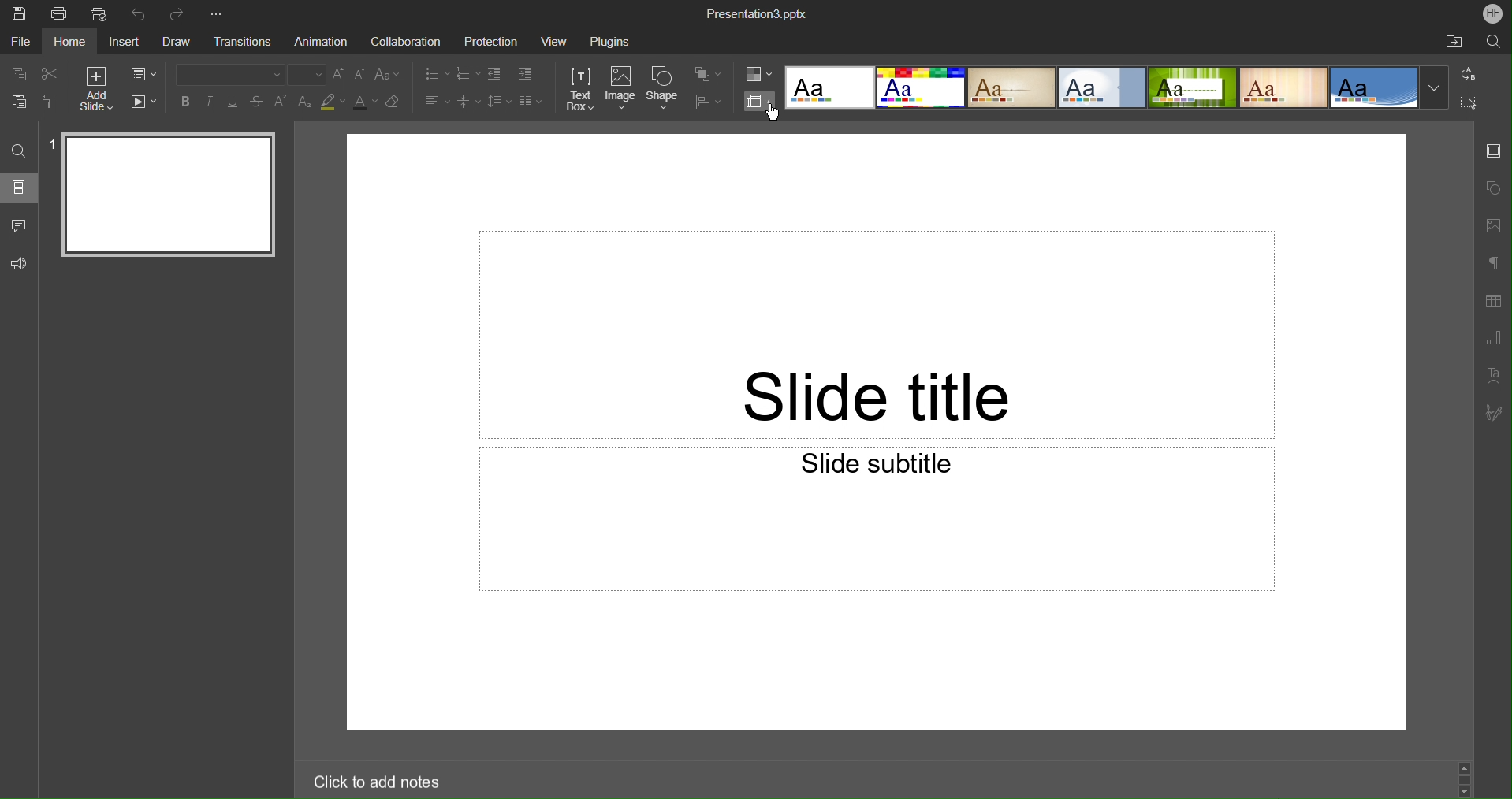 This screenshot has width=1512, height=799. I want to click on Text Art, so click(1493, 376).